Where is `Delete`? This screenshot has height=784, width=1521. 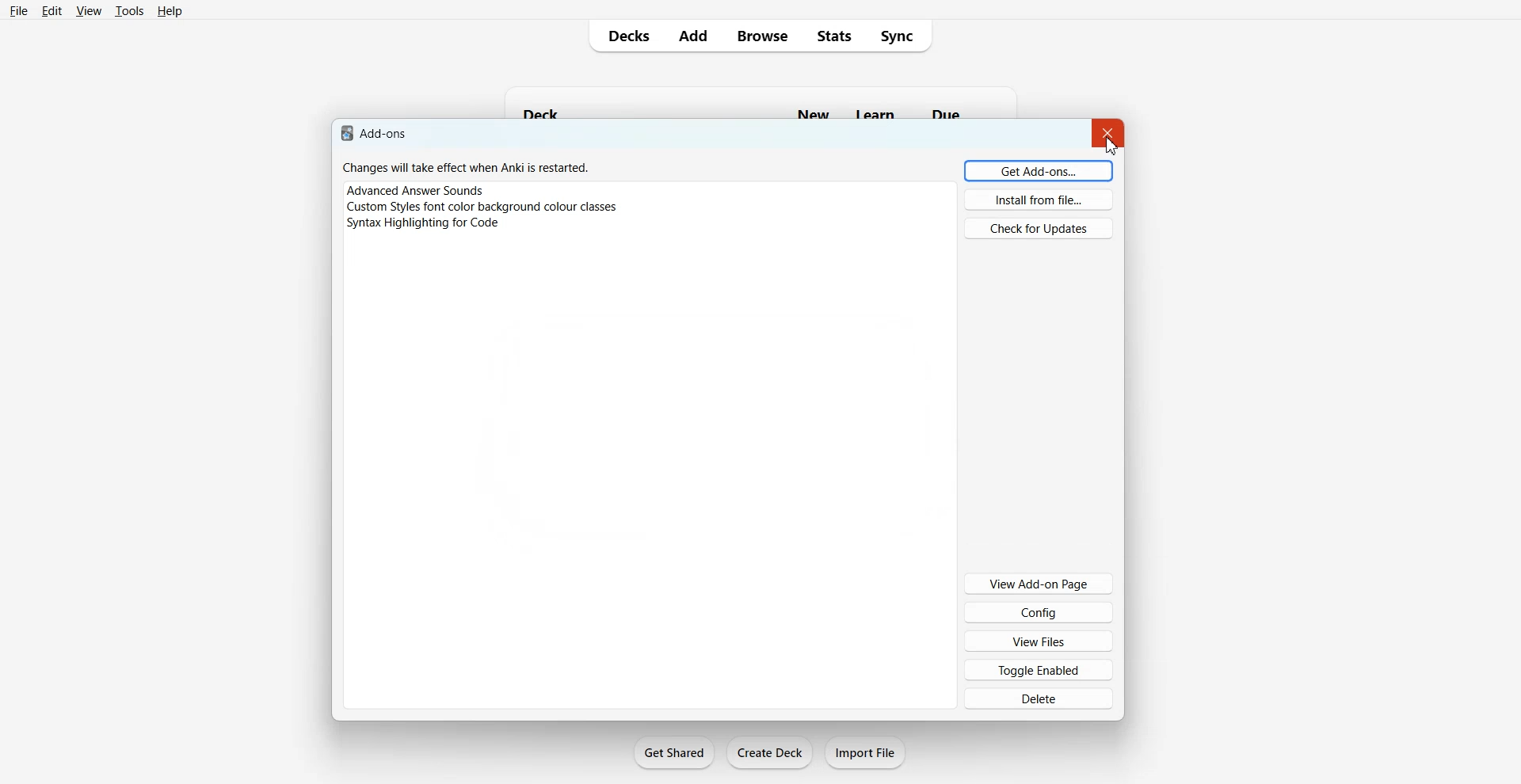
Delete is located at coordinates (1038, 698).